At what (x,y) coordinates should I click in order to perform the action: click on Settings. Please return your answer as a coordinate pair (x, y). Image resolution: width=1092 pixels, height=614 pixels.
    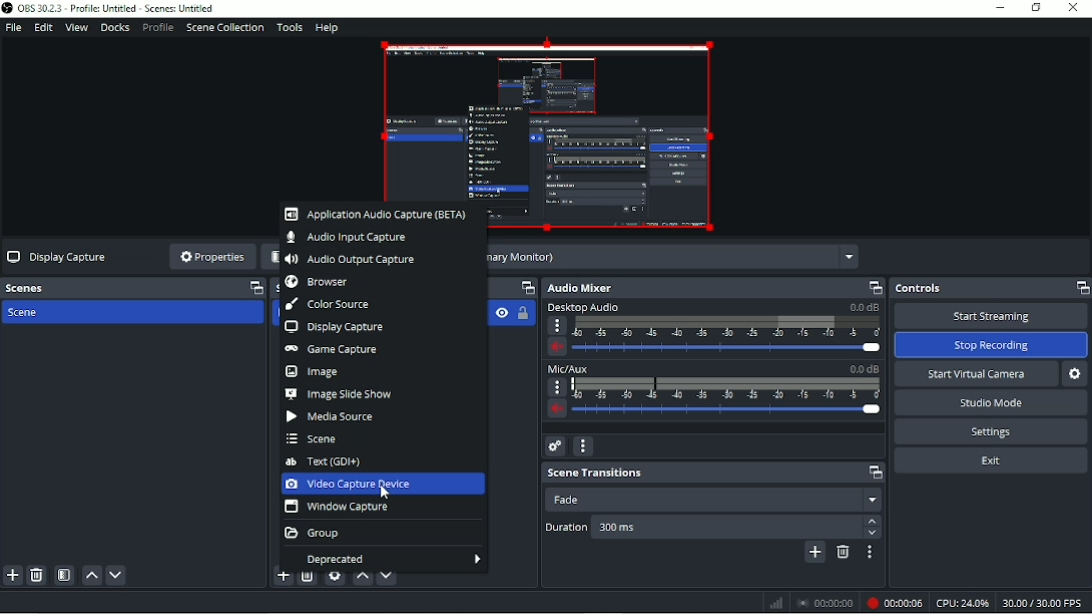
    Looking at the image, I should click on (988, 431).